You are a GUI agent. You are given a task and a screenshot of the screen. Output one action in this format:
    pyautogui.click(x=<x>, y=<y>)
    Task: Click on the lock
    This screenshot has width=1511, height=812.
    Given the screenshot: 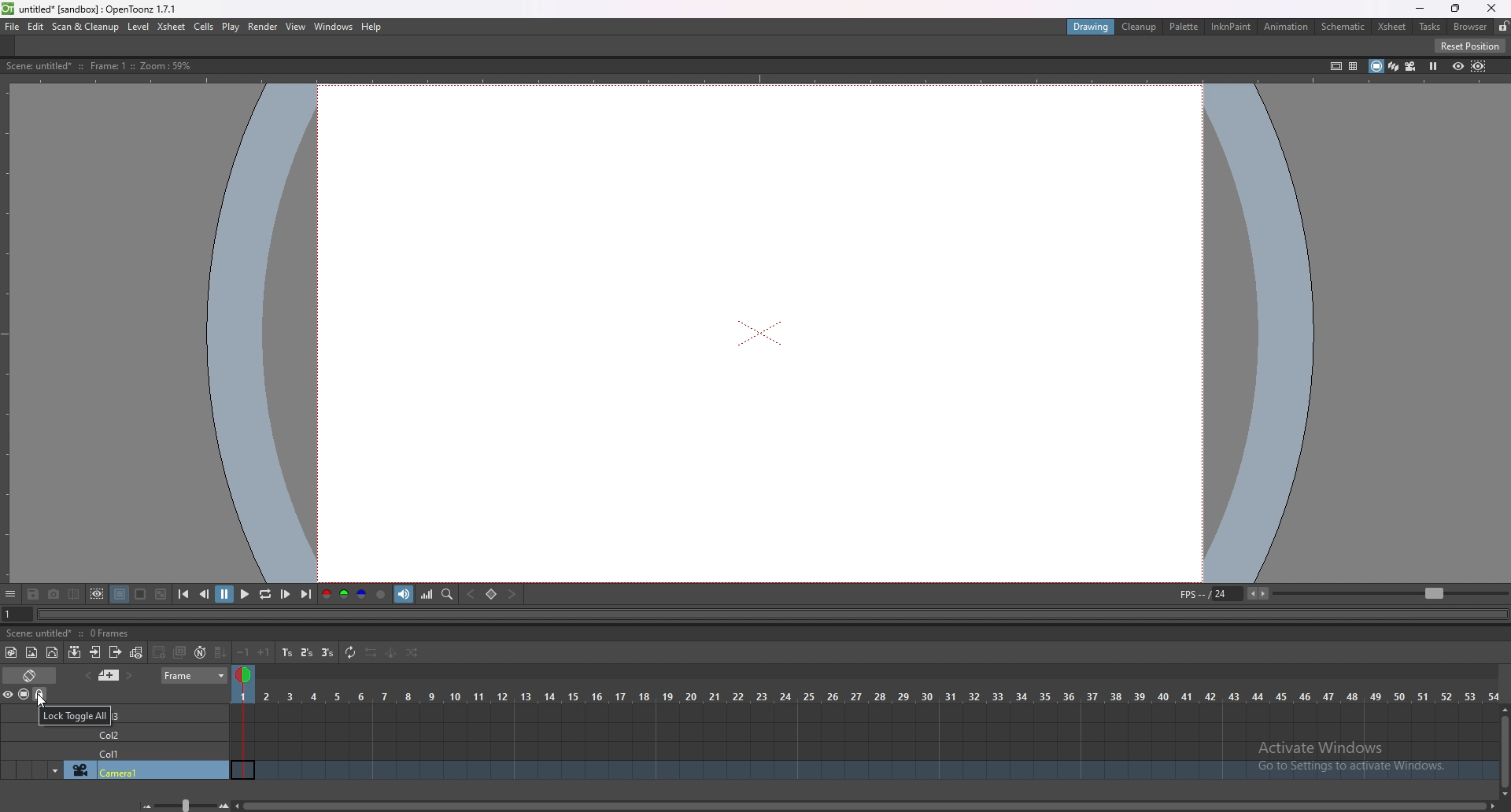 What is the action you would take?
    pyautogui.click(x=1503, y=26)
    